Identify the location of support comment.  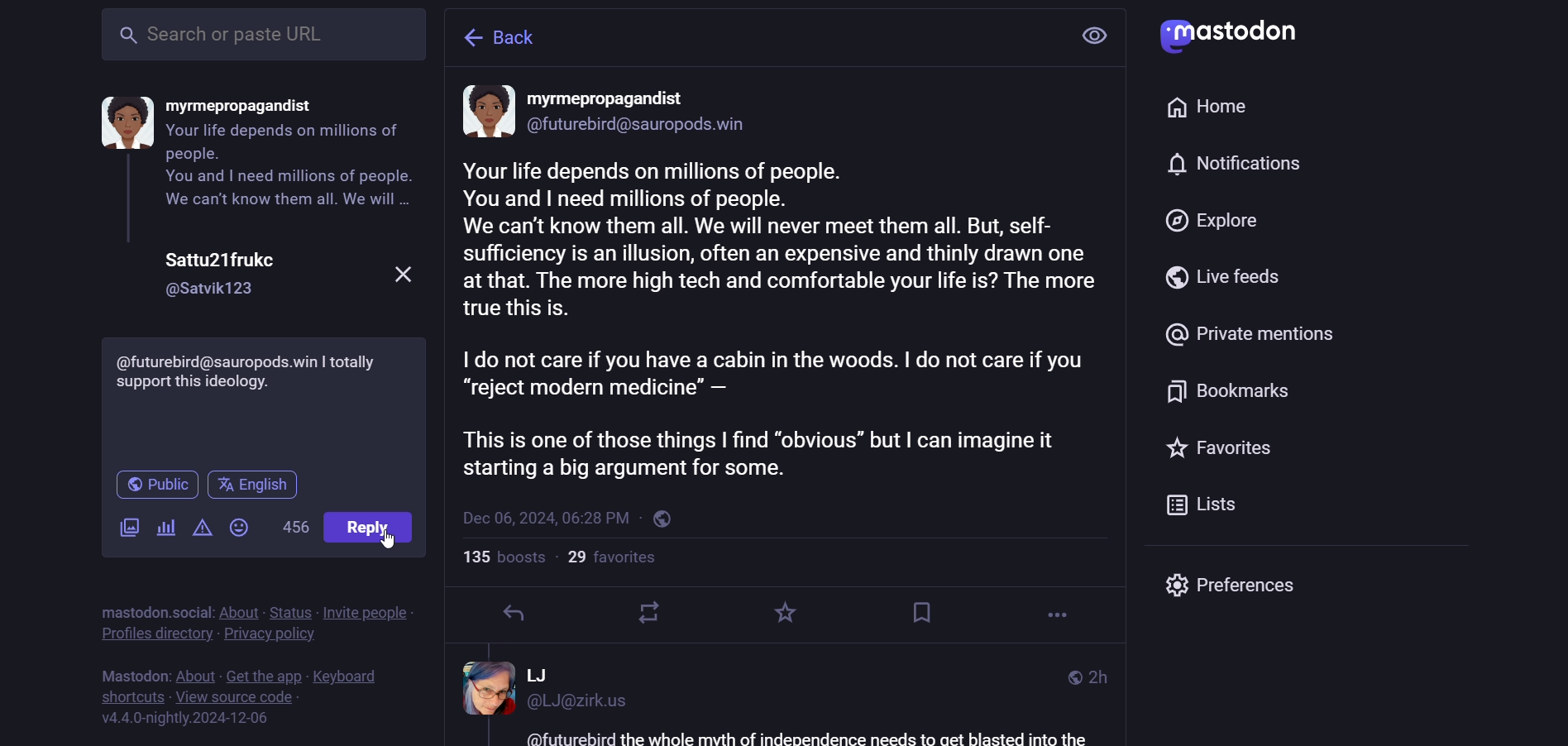
(258, 375).